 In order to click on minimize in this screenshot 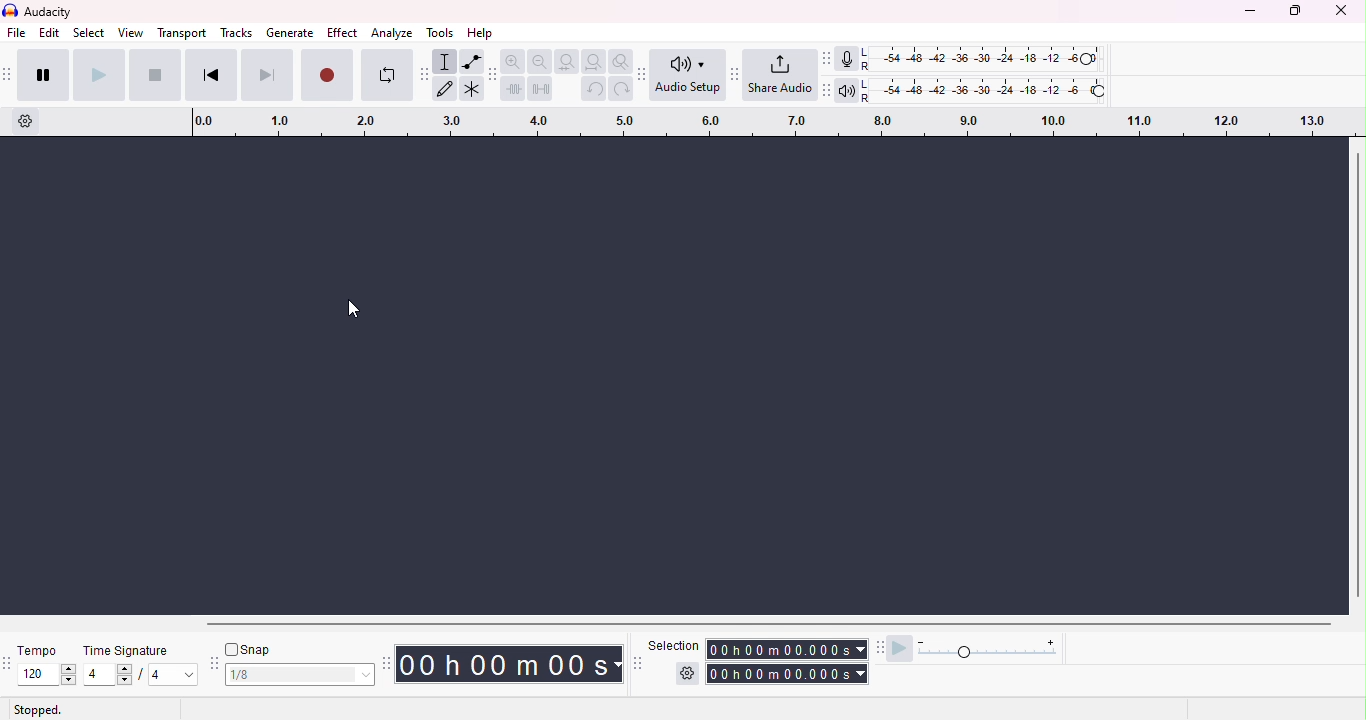, I will do `click(1250, 13)`.